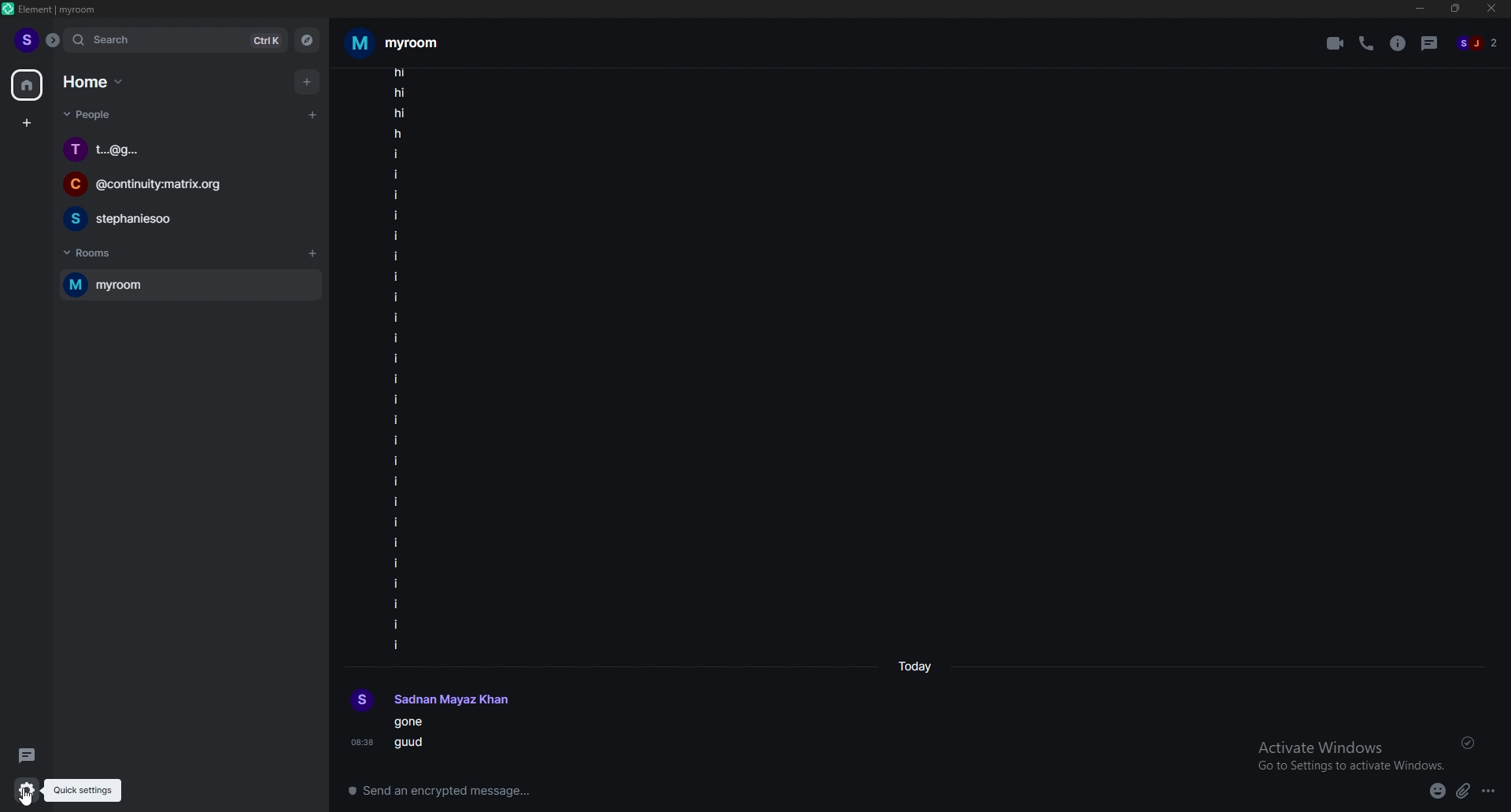 The image size is (1511, 812). I want to click on attachment, so click(1463, 791).